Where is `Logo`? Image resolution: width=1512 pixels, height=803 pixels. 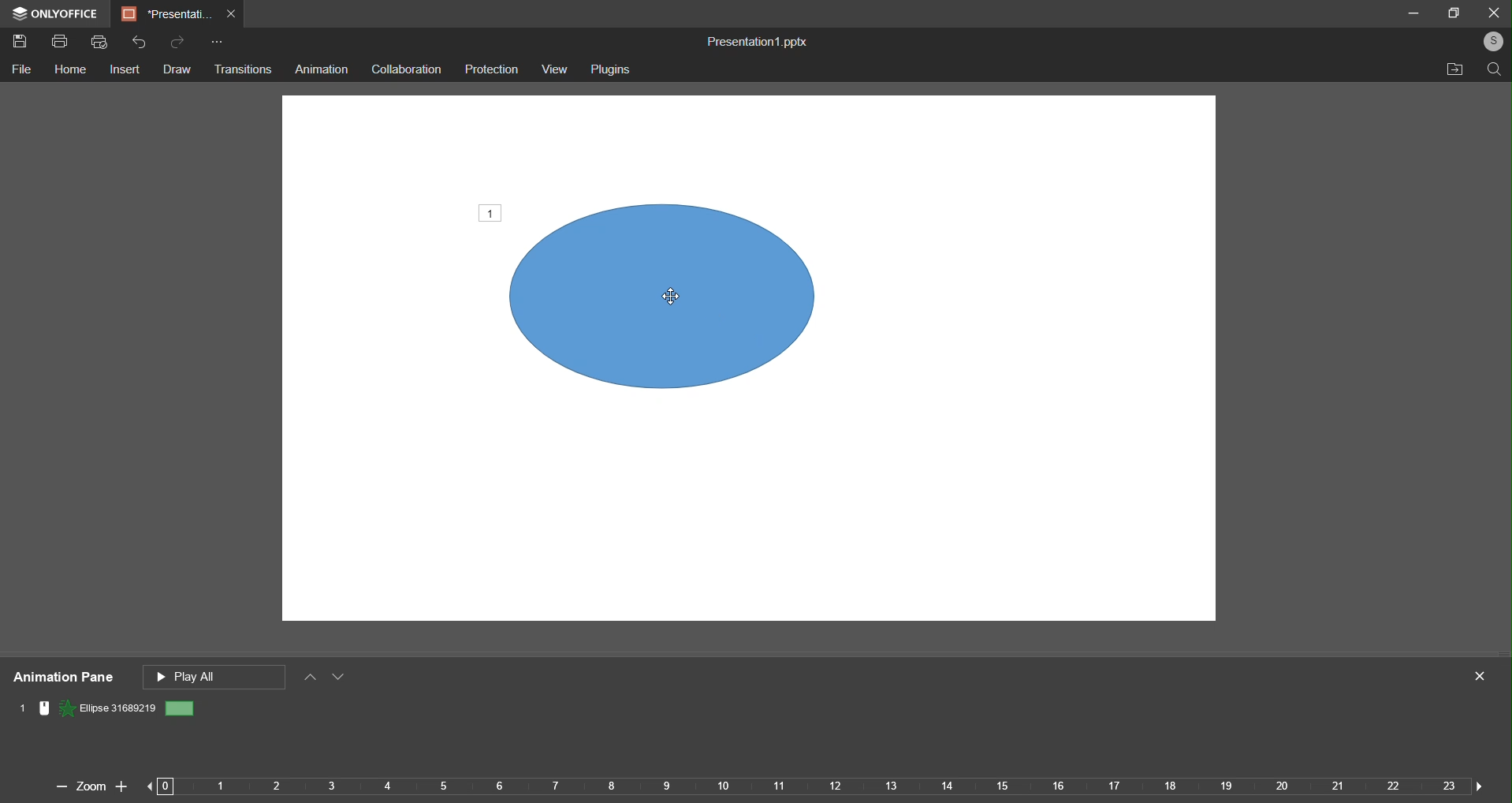
Logo is located at coordinates (55, 13).